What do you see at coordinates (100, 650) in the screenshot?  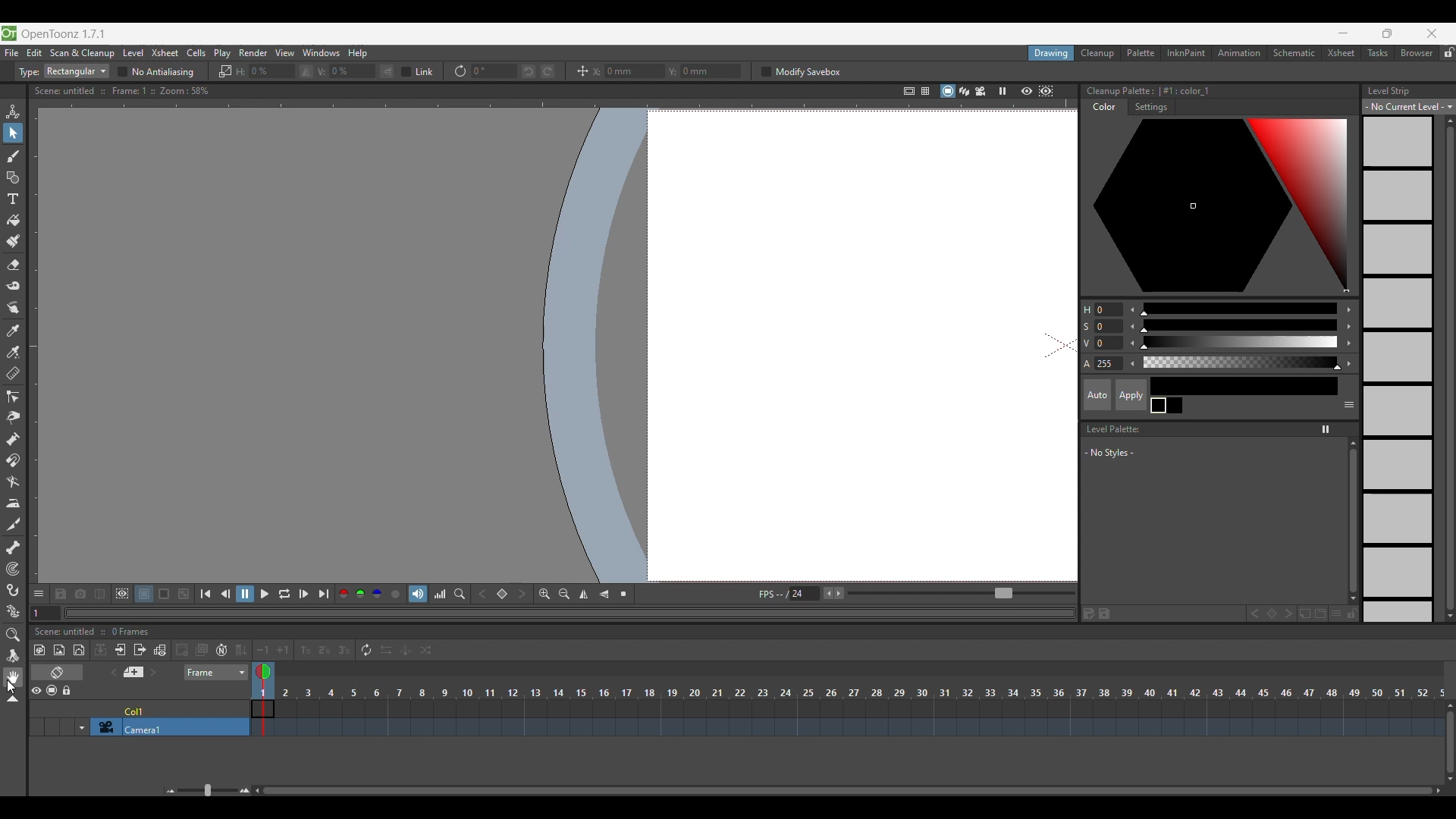 I see `Collapse` at bounding box center [100, 650].